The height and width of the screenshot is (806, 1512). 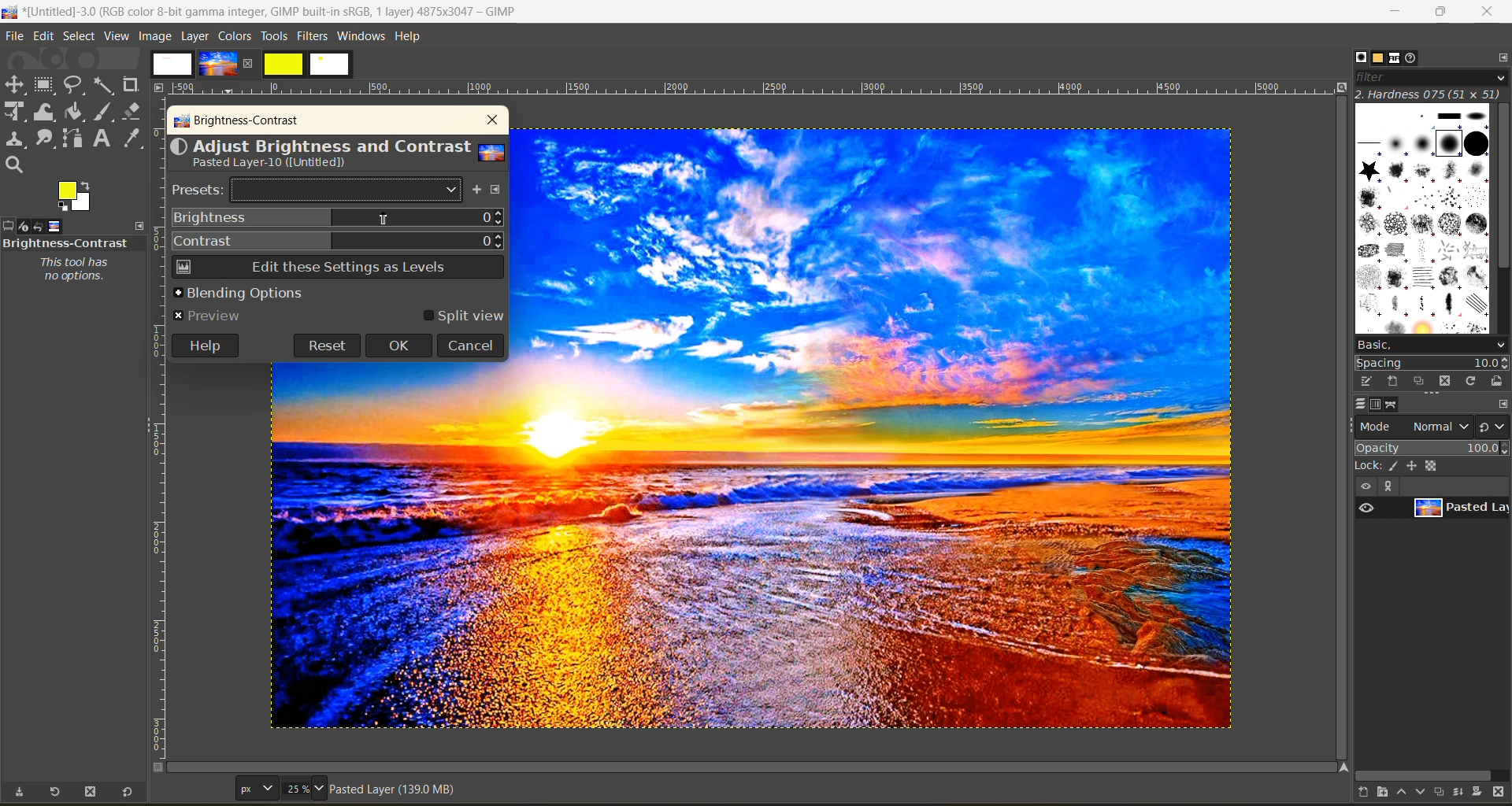 What do you see at coordinates (1366, 507) in the screenshot?
I see `preview` at bounding box center [1366, 507].